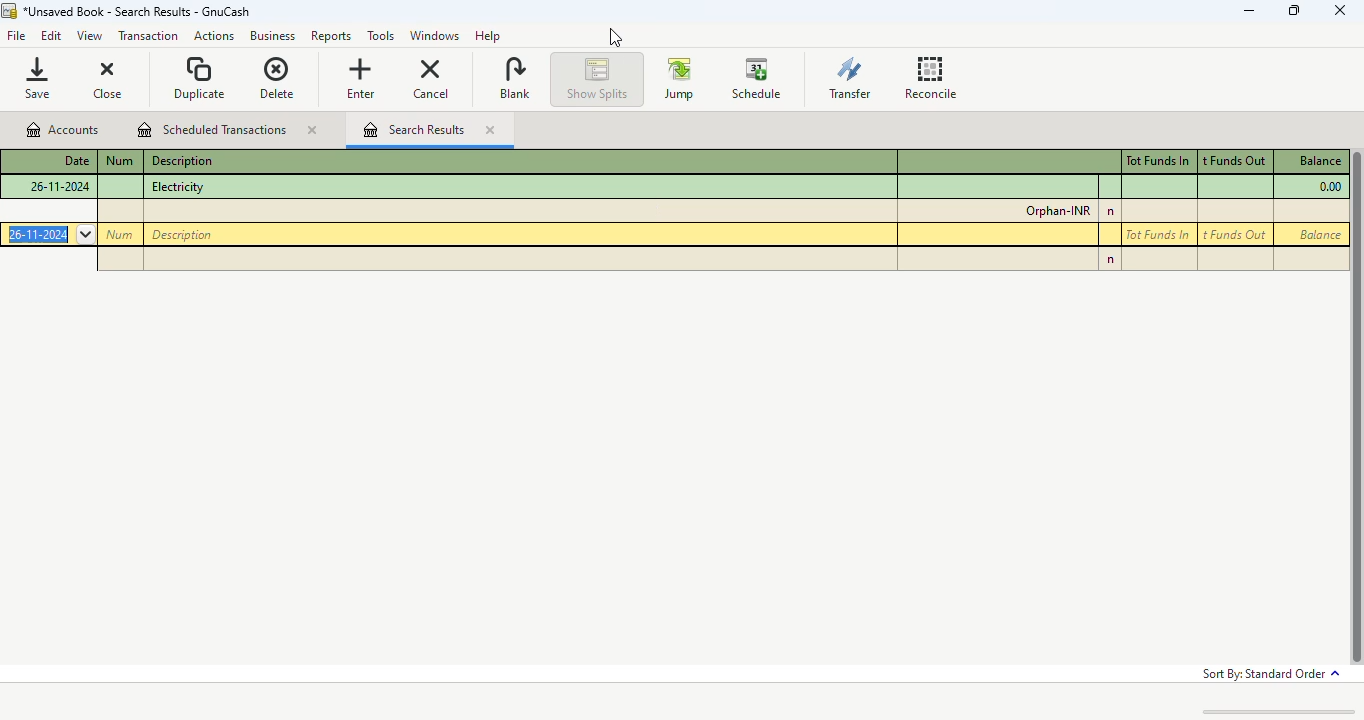 Image resolution: width=1364 pixels, height=720 pixels. Describe the element at coordinates (1355, 405) in the screenshot. I see `vertical scroll bar` at that location.